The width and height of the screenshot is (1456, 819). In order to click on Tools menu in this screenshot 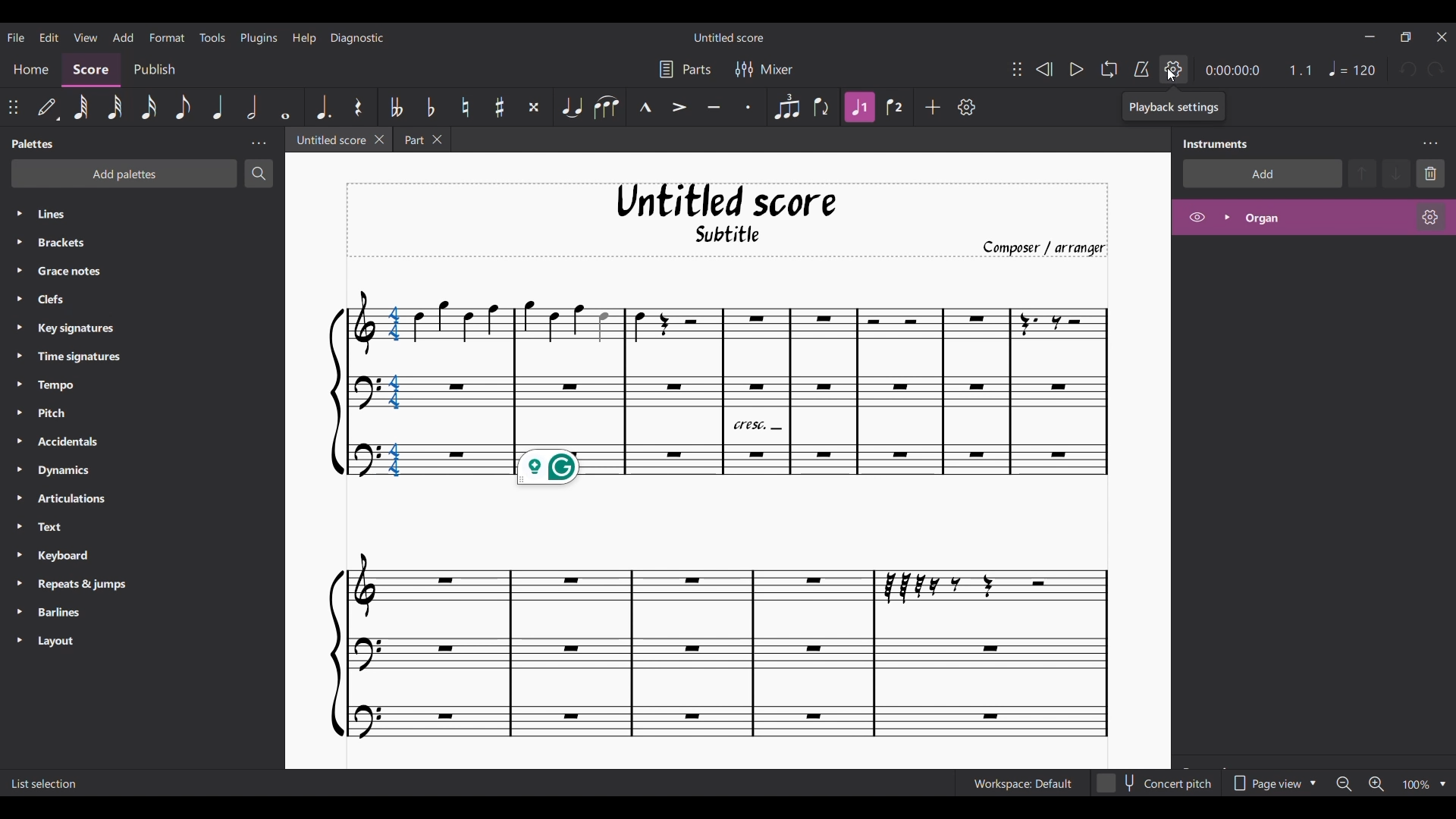, I will do `click(212, 37)`.